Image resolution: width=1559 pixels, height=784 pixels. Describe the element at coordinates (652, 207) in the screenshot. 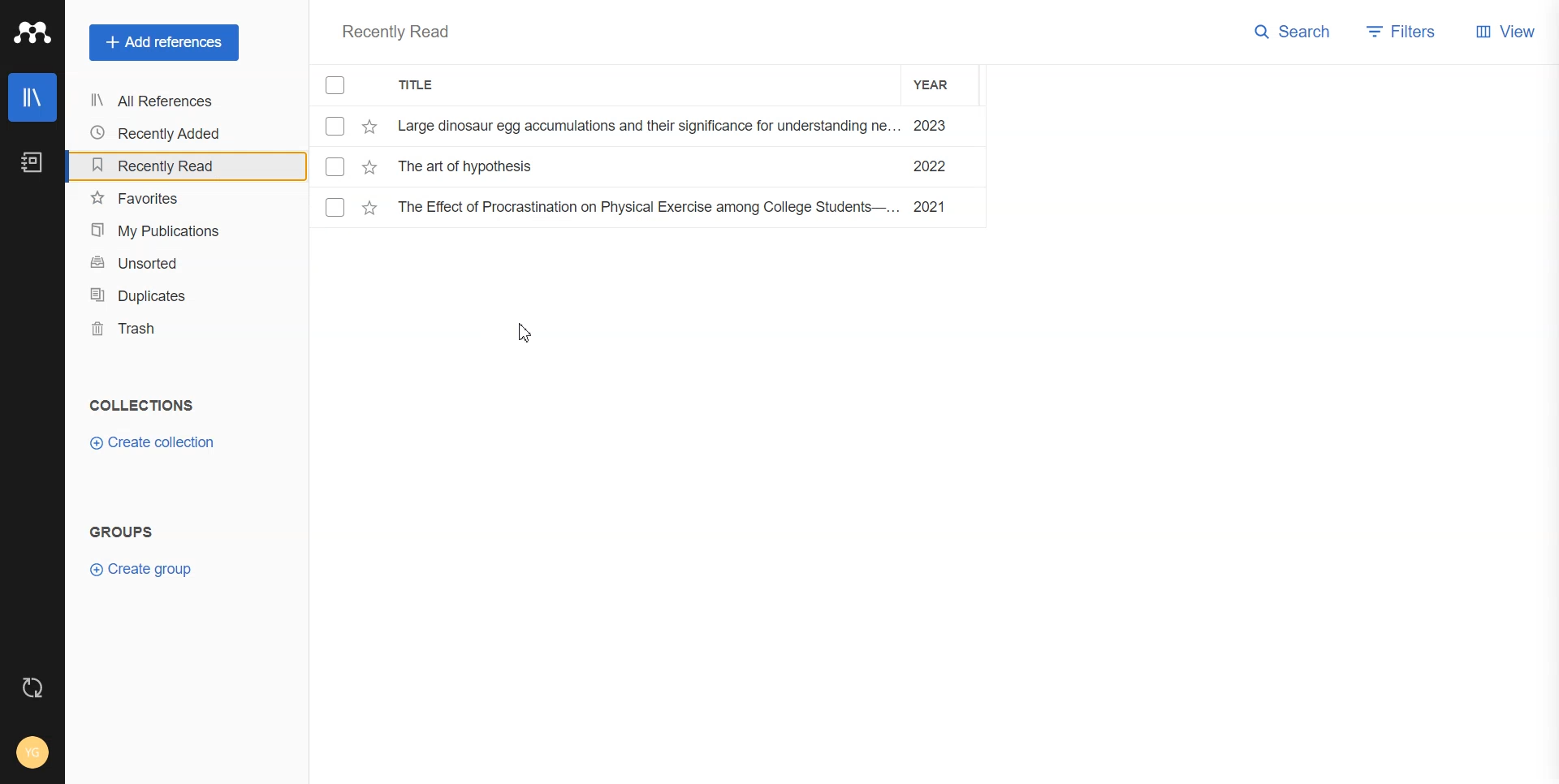

I see `File` at that location.